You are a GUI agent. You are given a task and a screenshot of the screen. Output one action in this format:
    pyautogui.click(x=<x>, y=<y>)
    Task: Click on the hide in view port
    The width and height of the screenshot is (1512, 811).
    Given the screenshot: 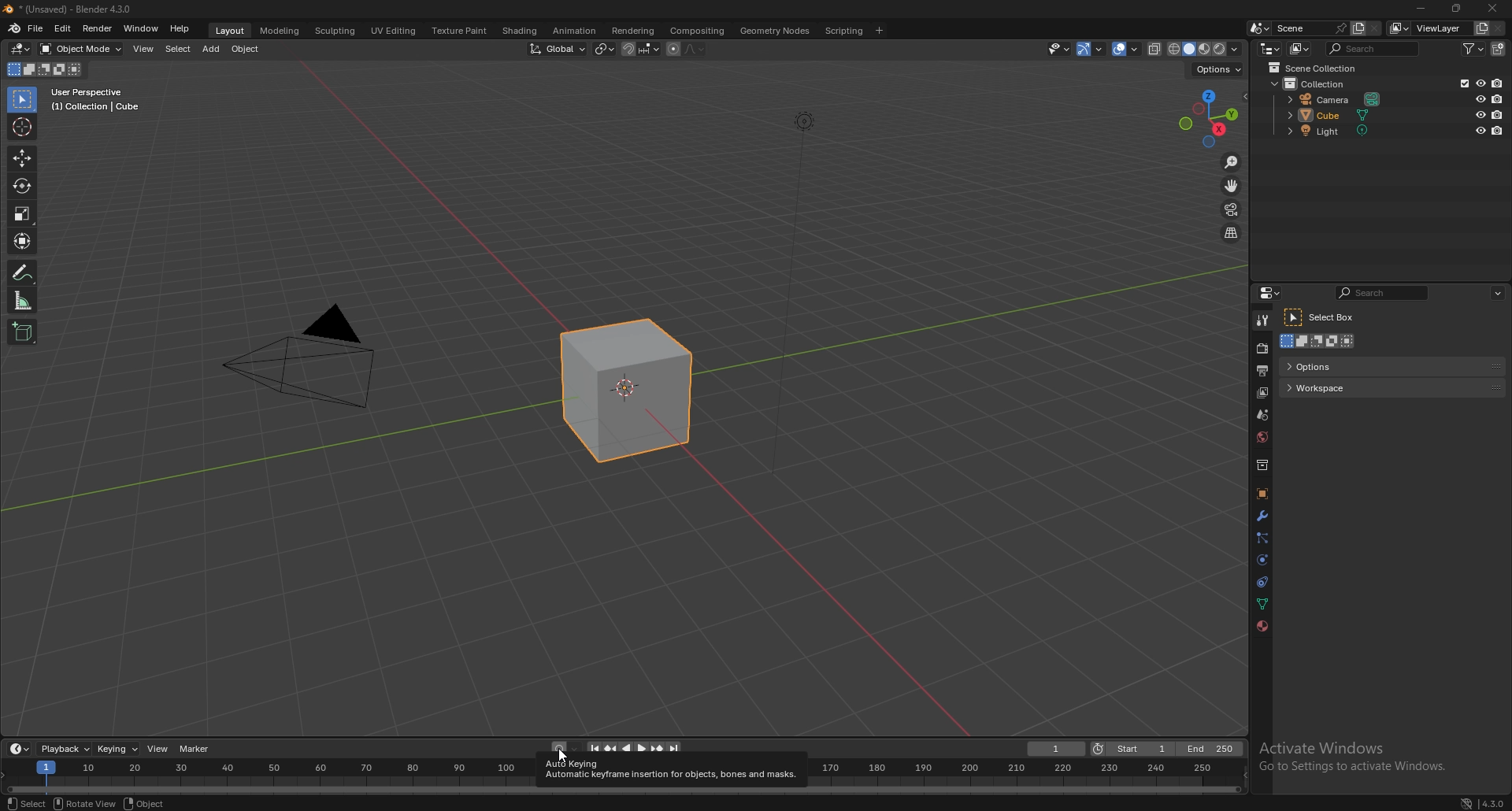 What is the action you would take?
    pyautogui.click(x=1481, y=98)
    